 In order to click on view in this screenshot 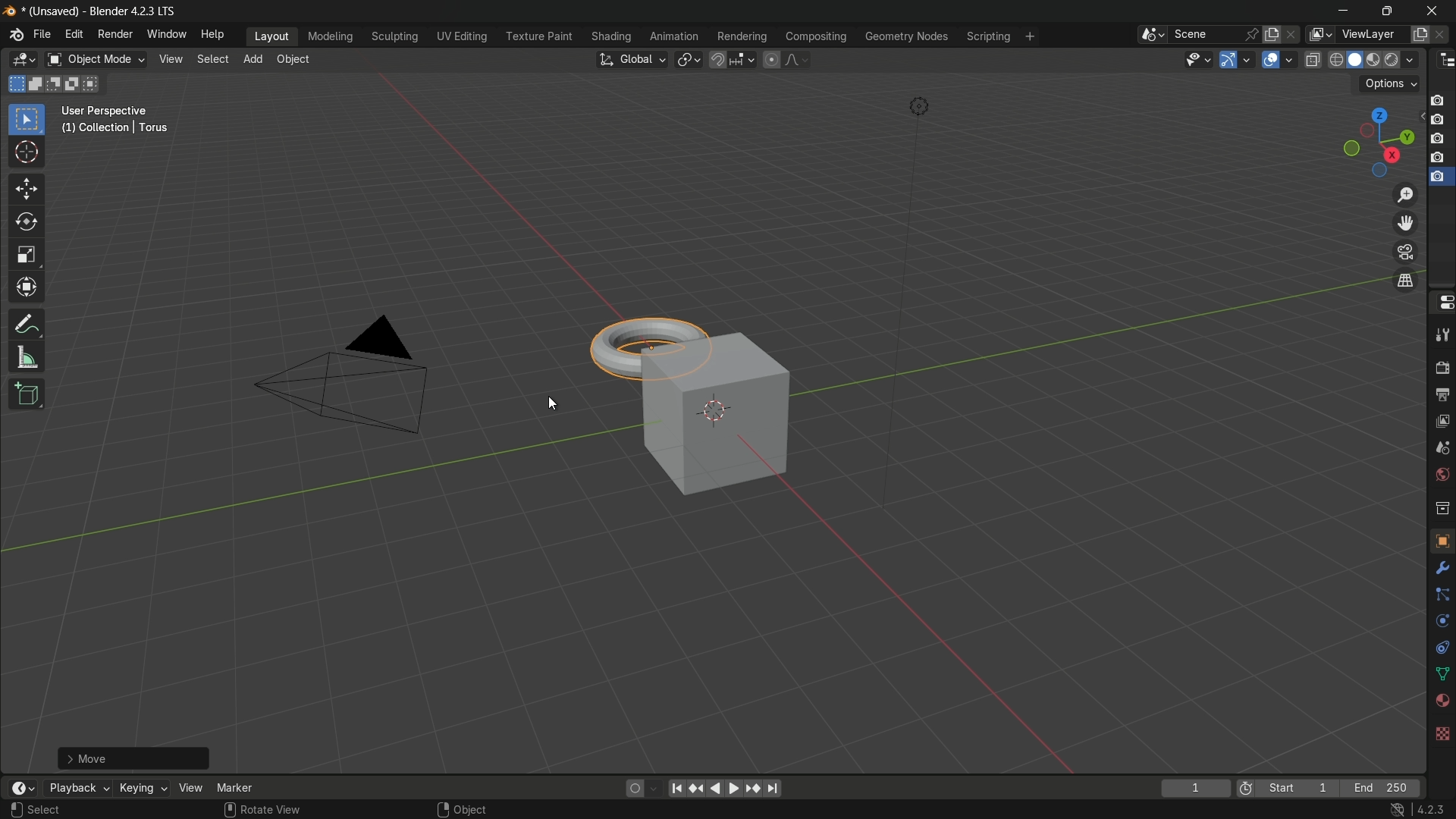, I will do `click(190, 788)`.